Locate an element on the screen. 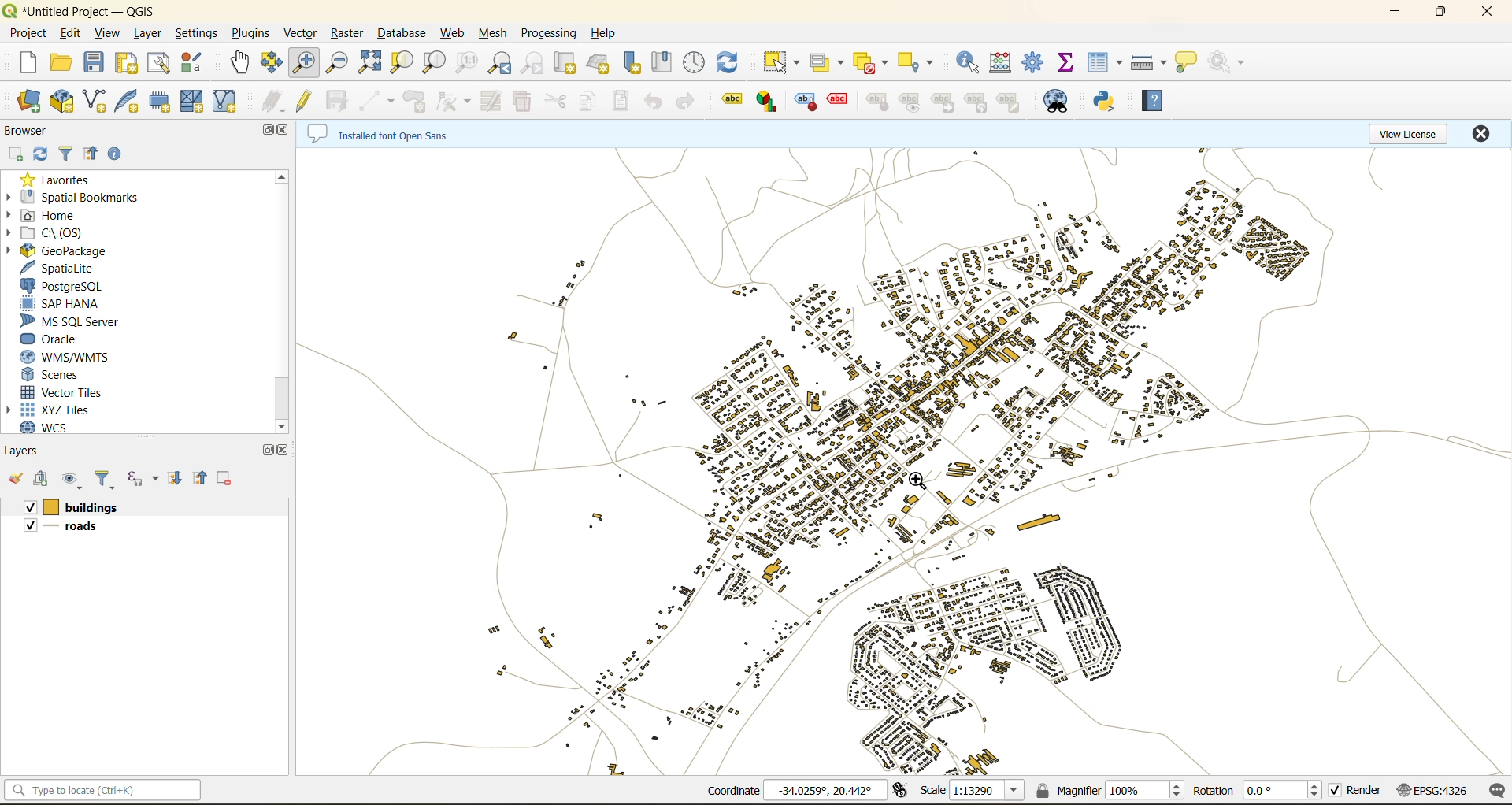  select is located at coordinates (780, 63).